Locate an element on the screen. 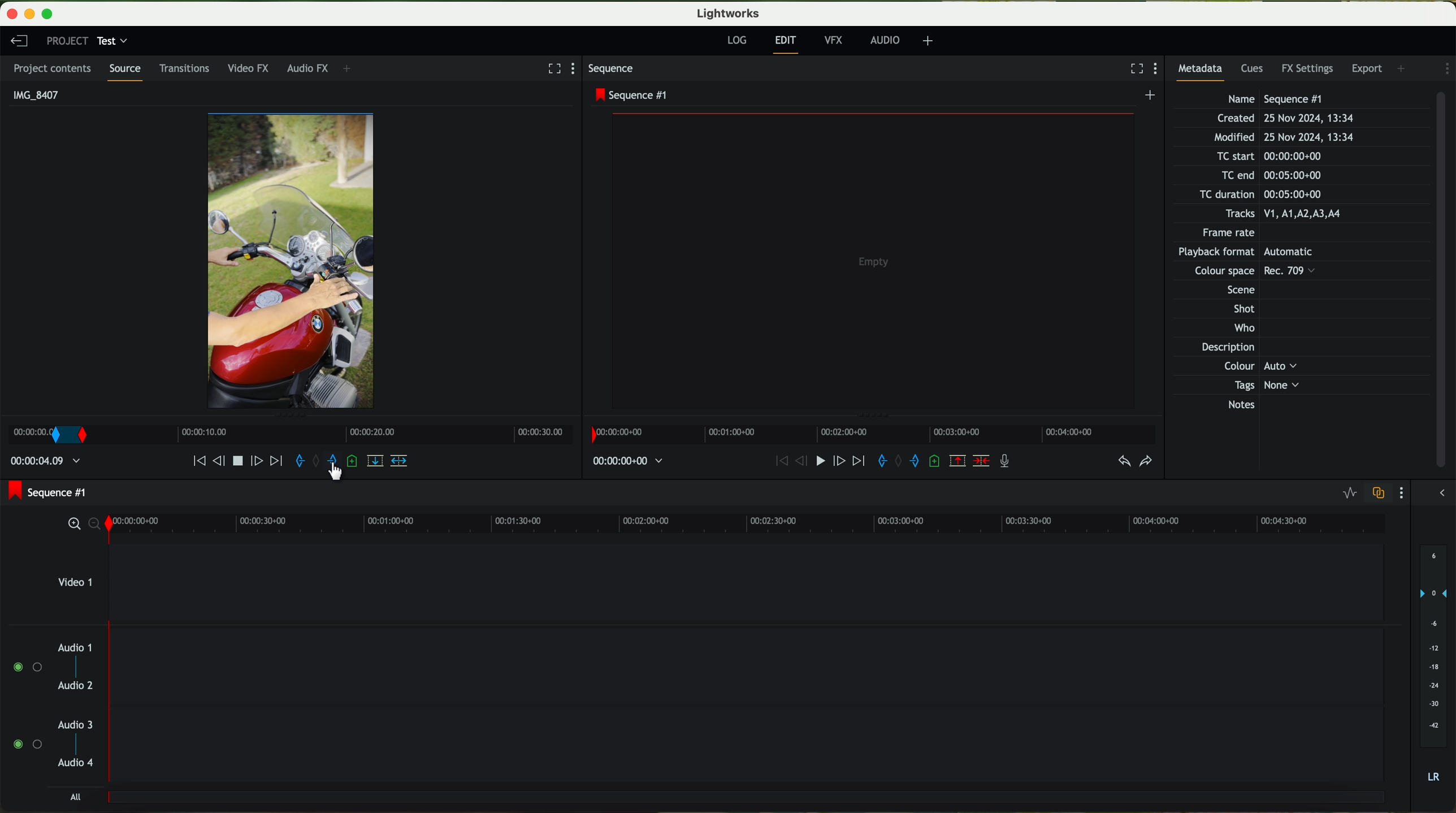 This screenshot has height=813, width=1456. remove the marked section is located at coordinates (959, 462).